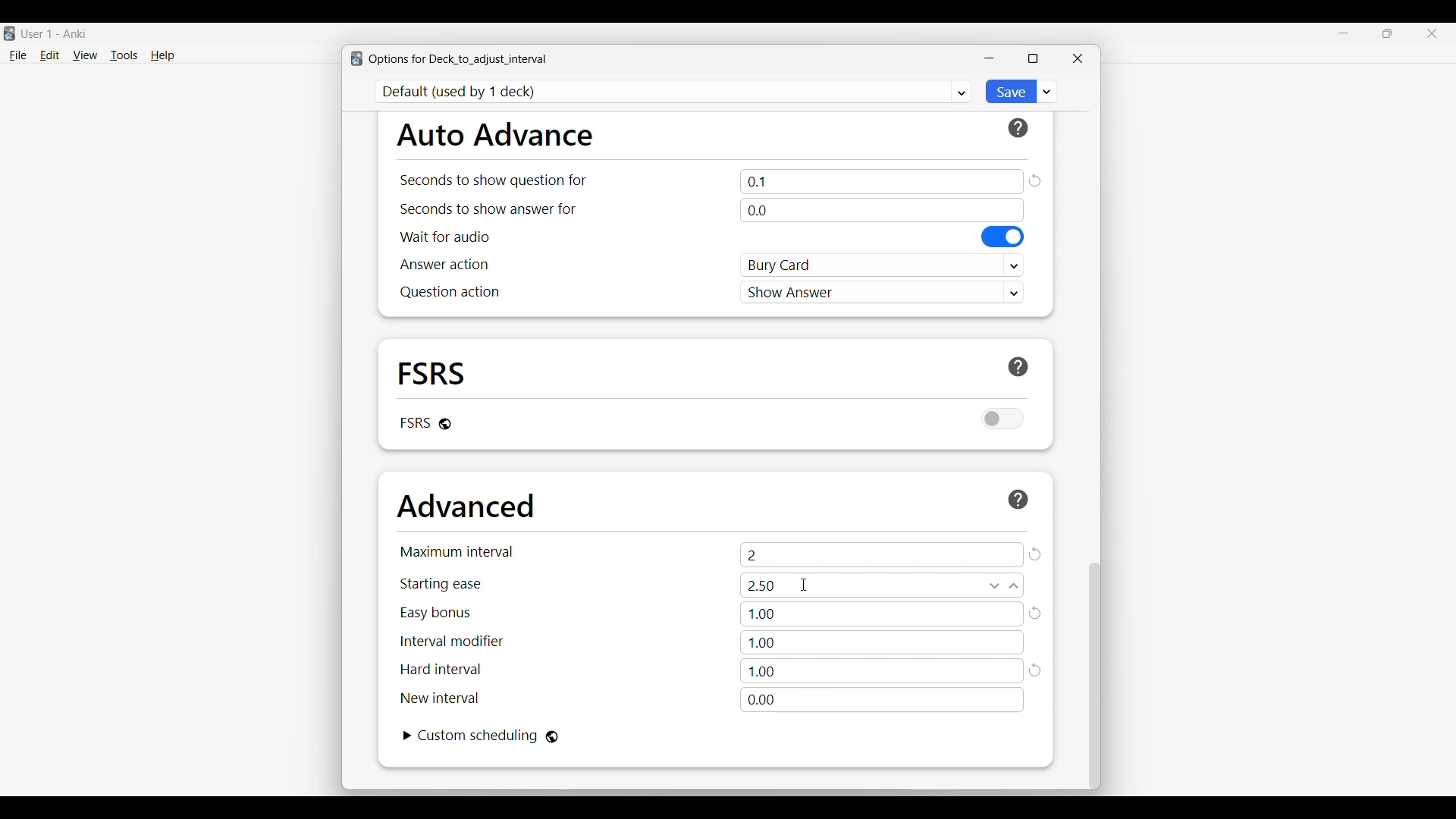 This screenshot has width=1456, height=819. Describe the element at coordinates (881, 642) in the screenshot. I see `1.00` at that location.